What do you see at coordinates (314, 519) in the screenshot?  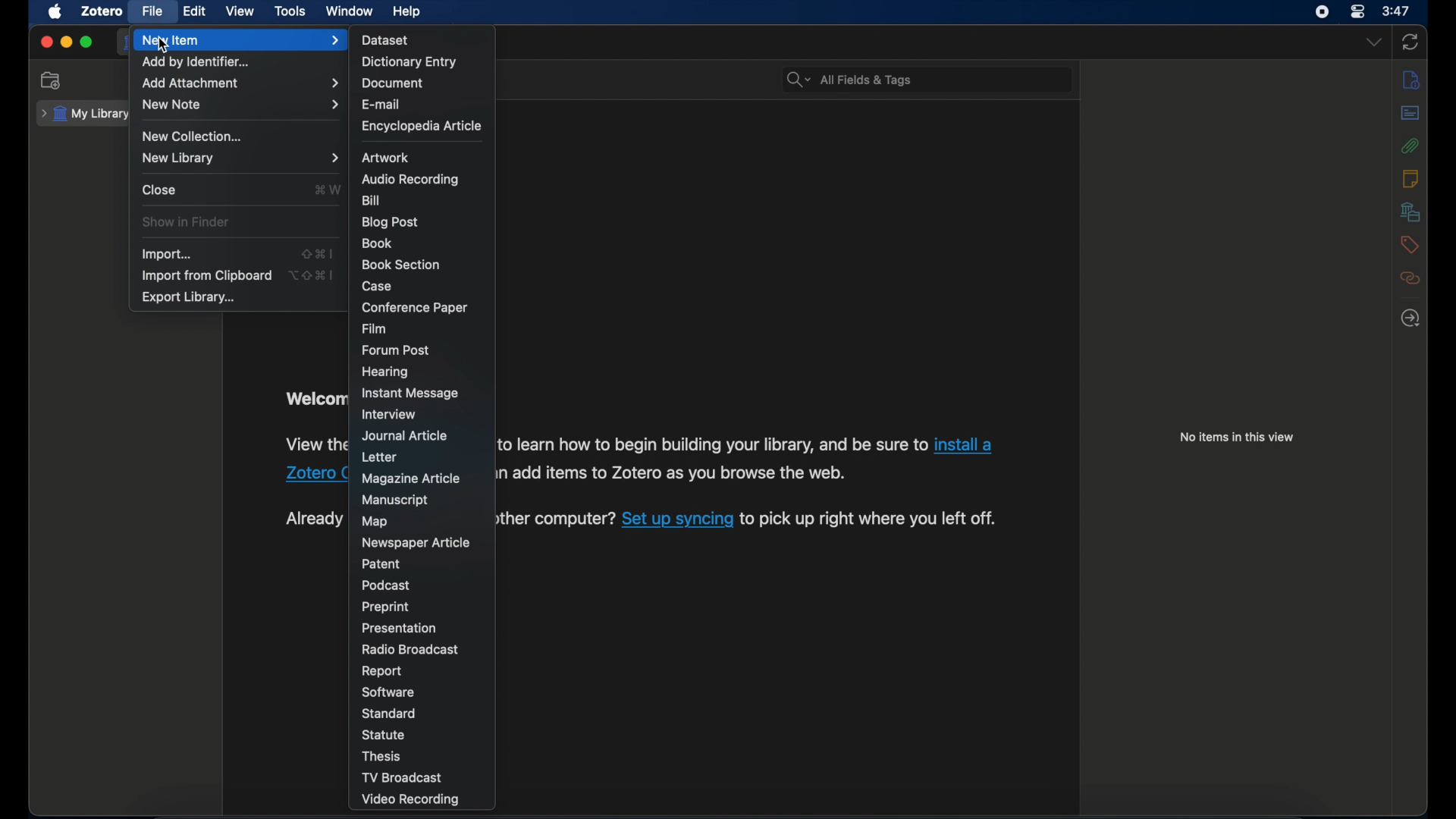 I see `obscure text` at bounding box center [314, 519].